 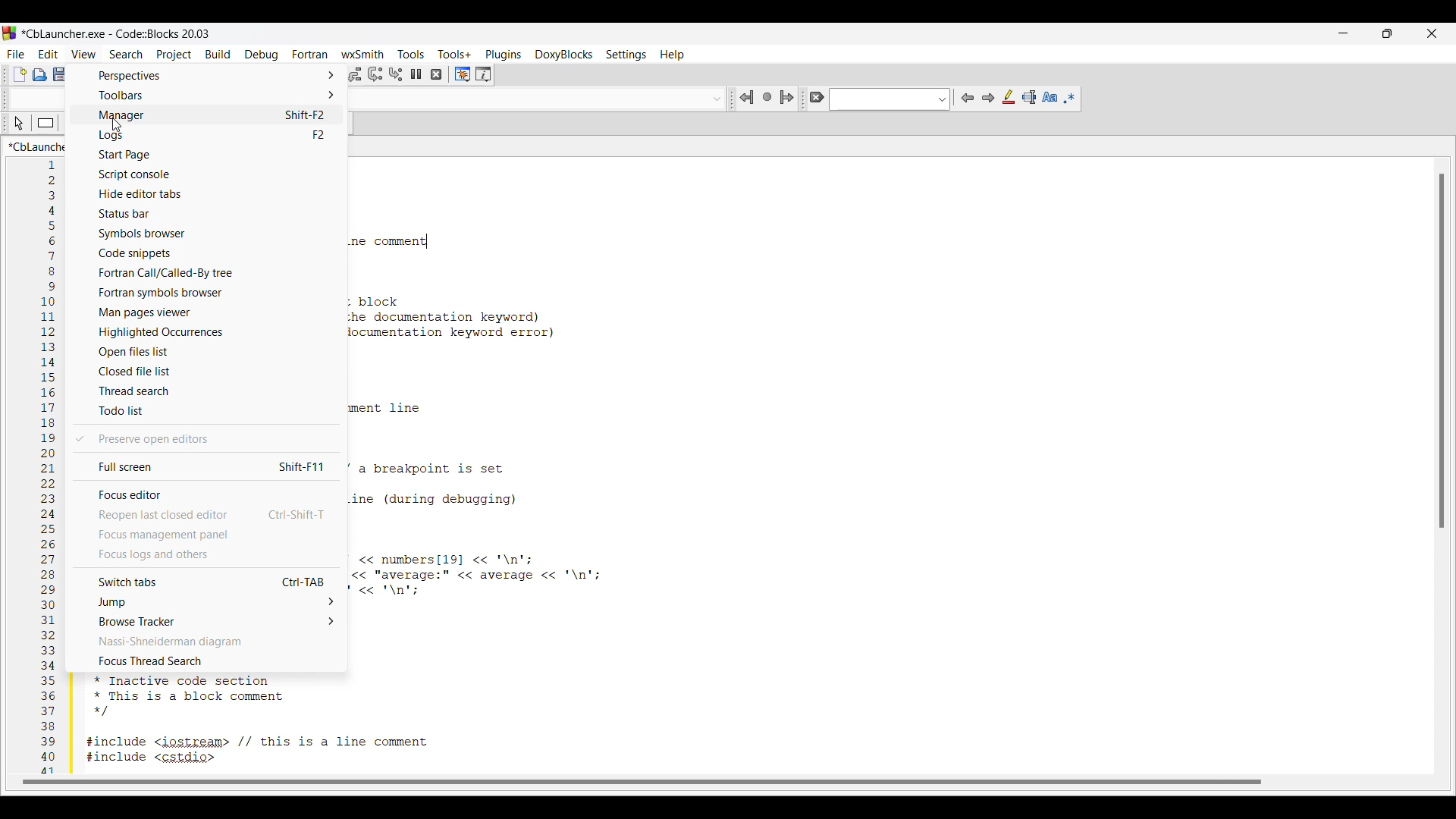 I want to click on Match case, so click(x=1050, y=97).